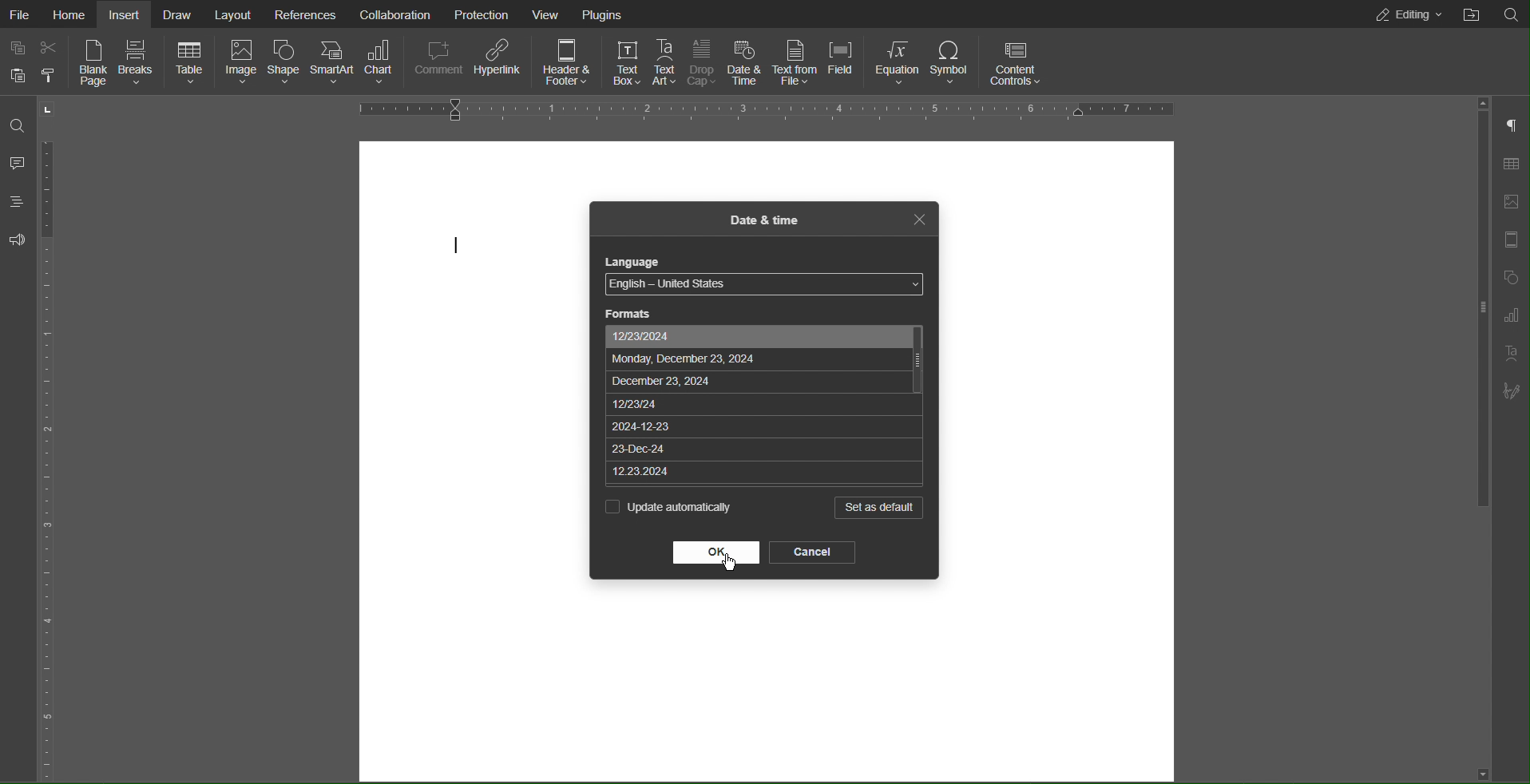  Describe the element at coordinates (666, 60) in the screenshot. I see `Text Art` at that location.